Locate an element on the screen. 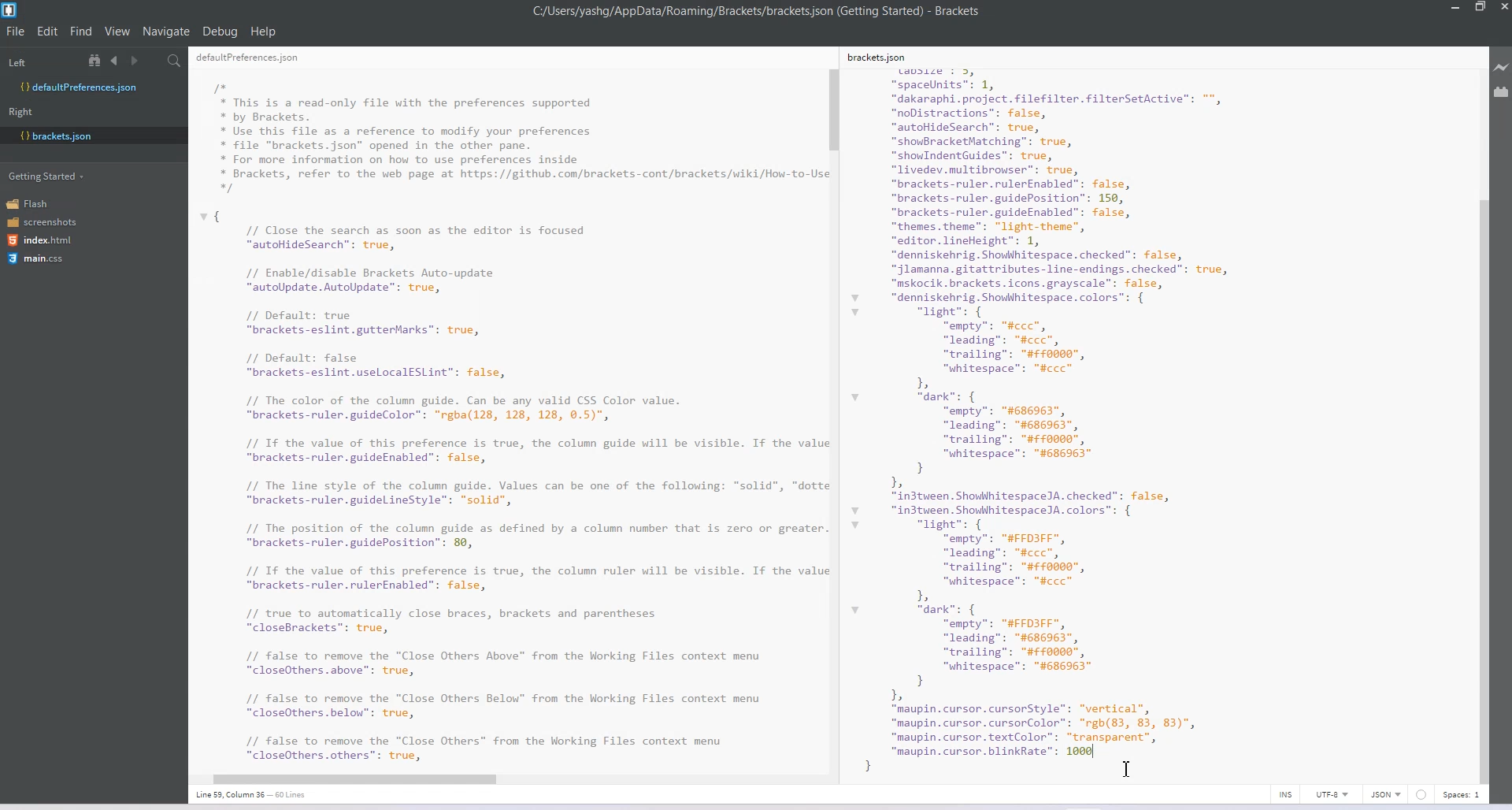  Vertical Scroll Bar is located at coordinates (834, 416).